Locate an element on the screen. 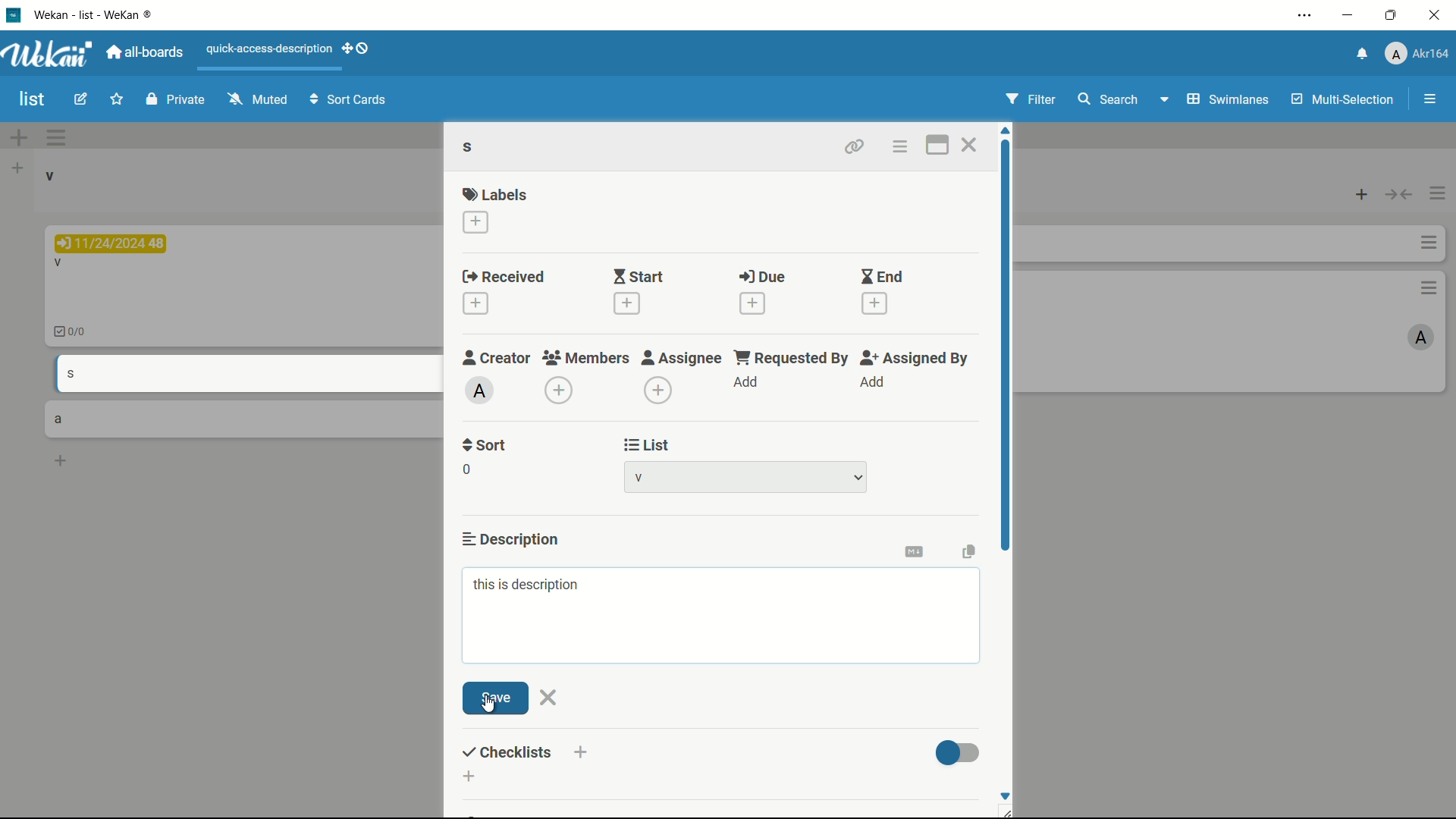  close app is located at coordinates (1437, 17).